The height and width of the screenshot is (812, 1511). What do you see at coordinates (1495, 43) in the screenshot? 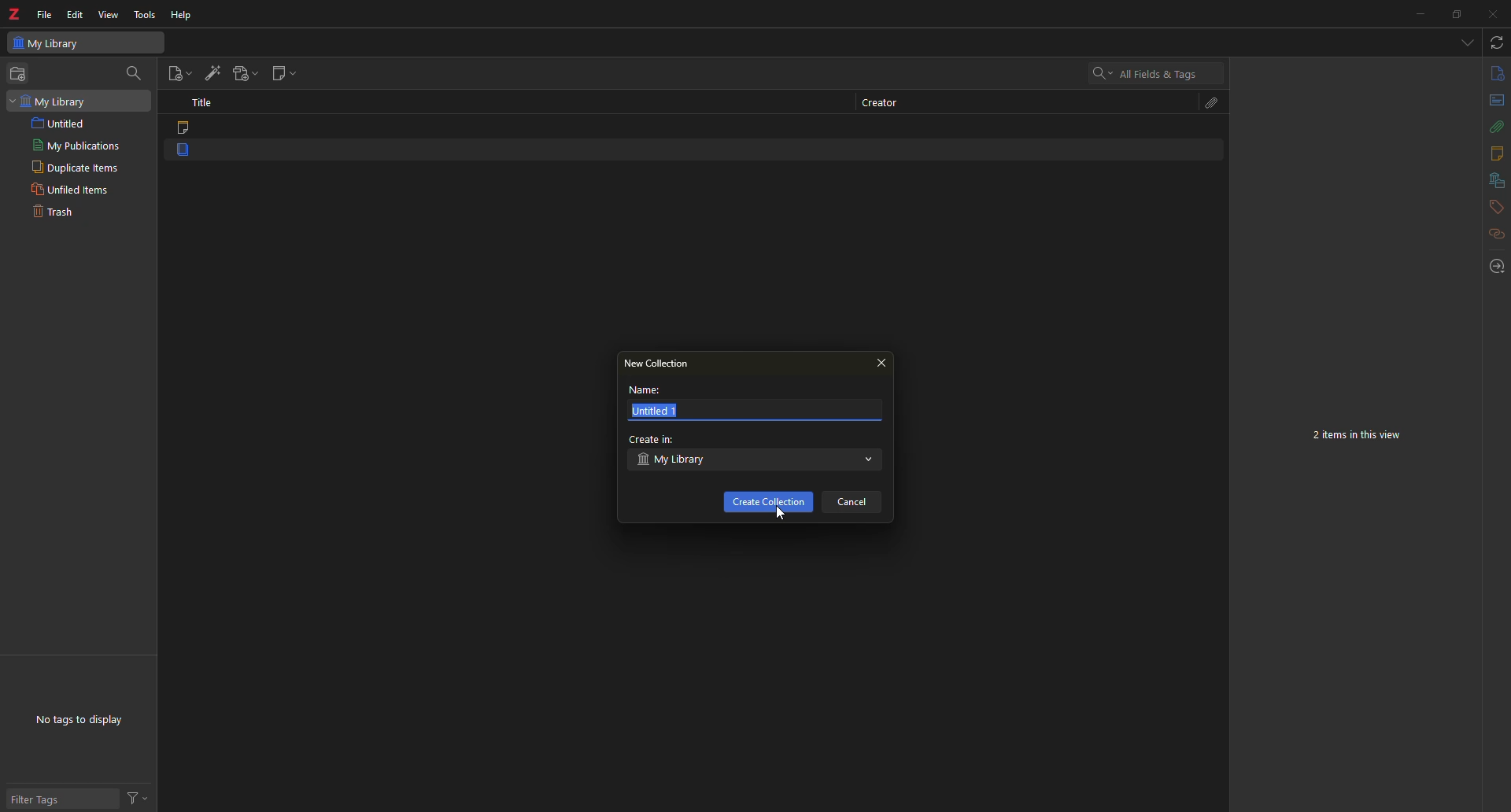
I see `sync` at bounding box center [1495, 43].